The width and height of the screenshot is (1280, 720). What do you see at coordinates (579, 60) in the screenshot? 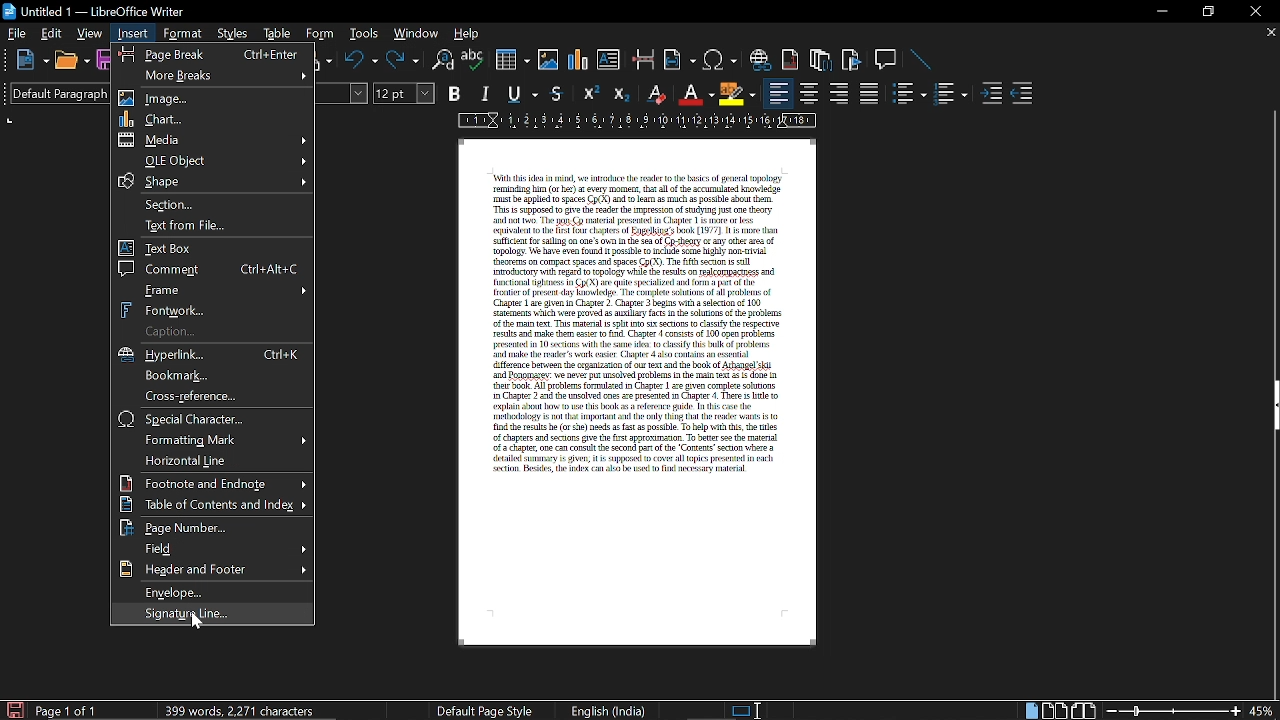
I see `insert chart` at bounding box center [579, 60].